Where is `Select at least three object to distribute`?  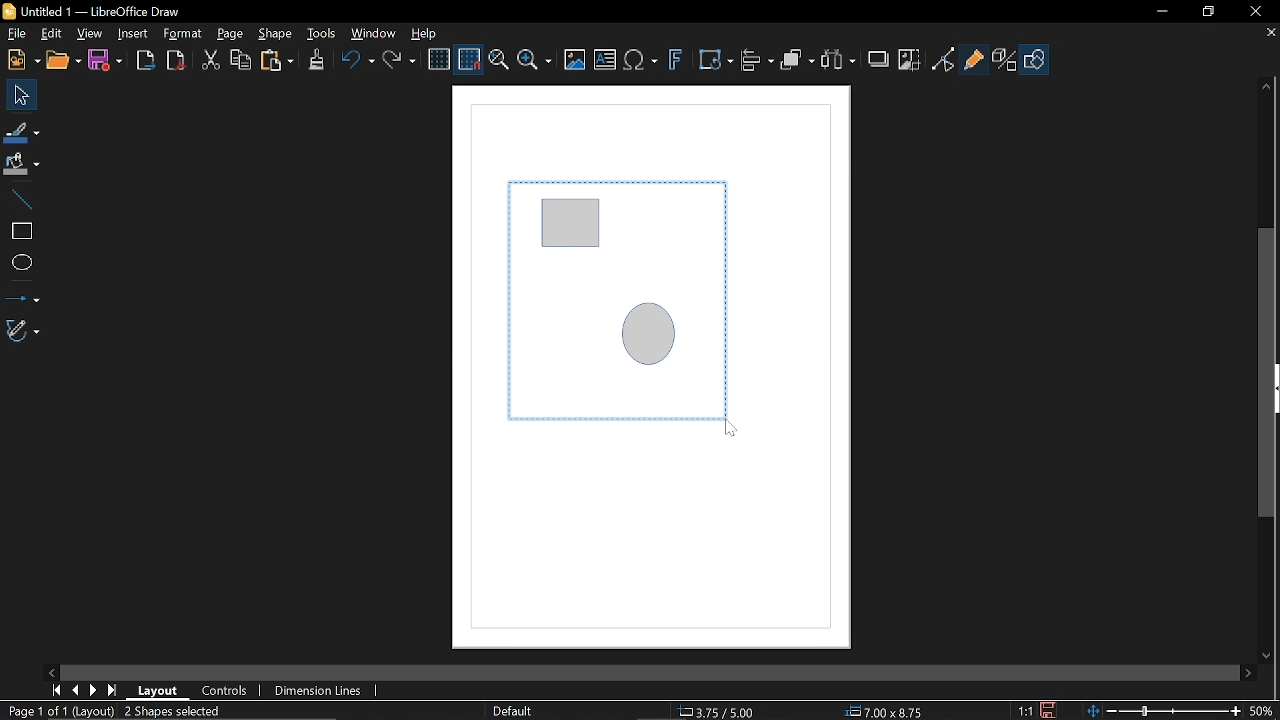 Select at least three object to distribute is located at coordinates (839, 62).